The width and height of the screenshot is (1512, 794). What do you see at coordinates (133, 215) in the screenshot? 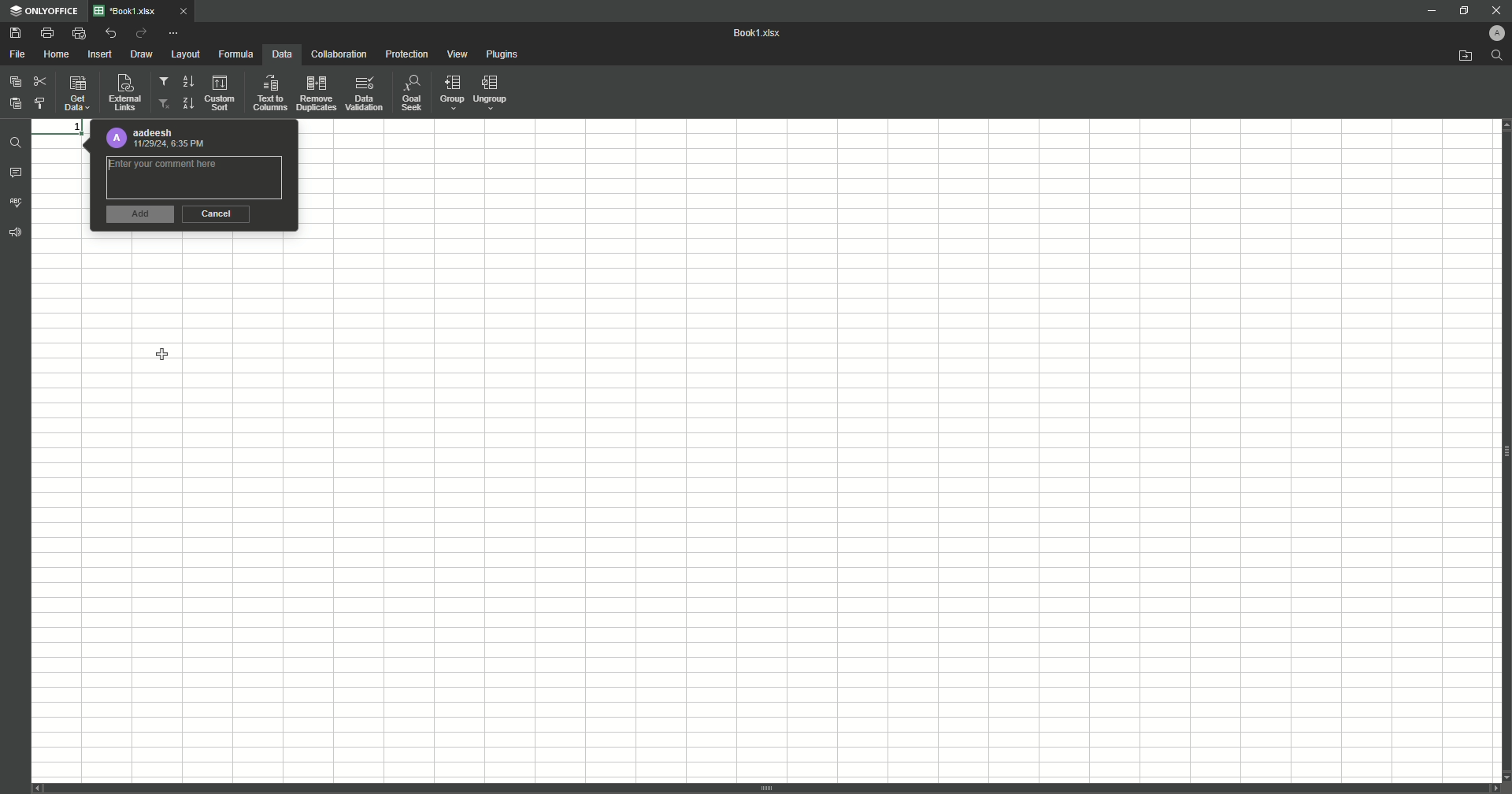
I see `Add` at bounding box center [133, 215].